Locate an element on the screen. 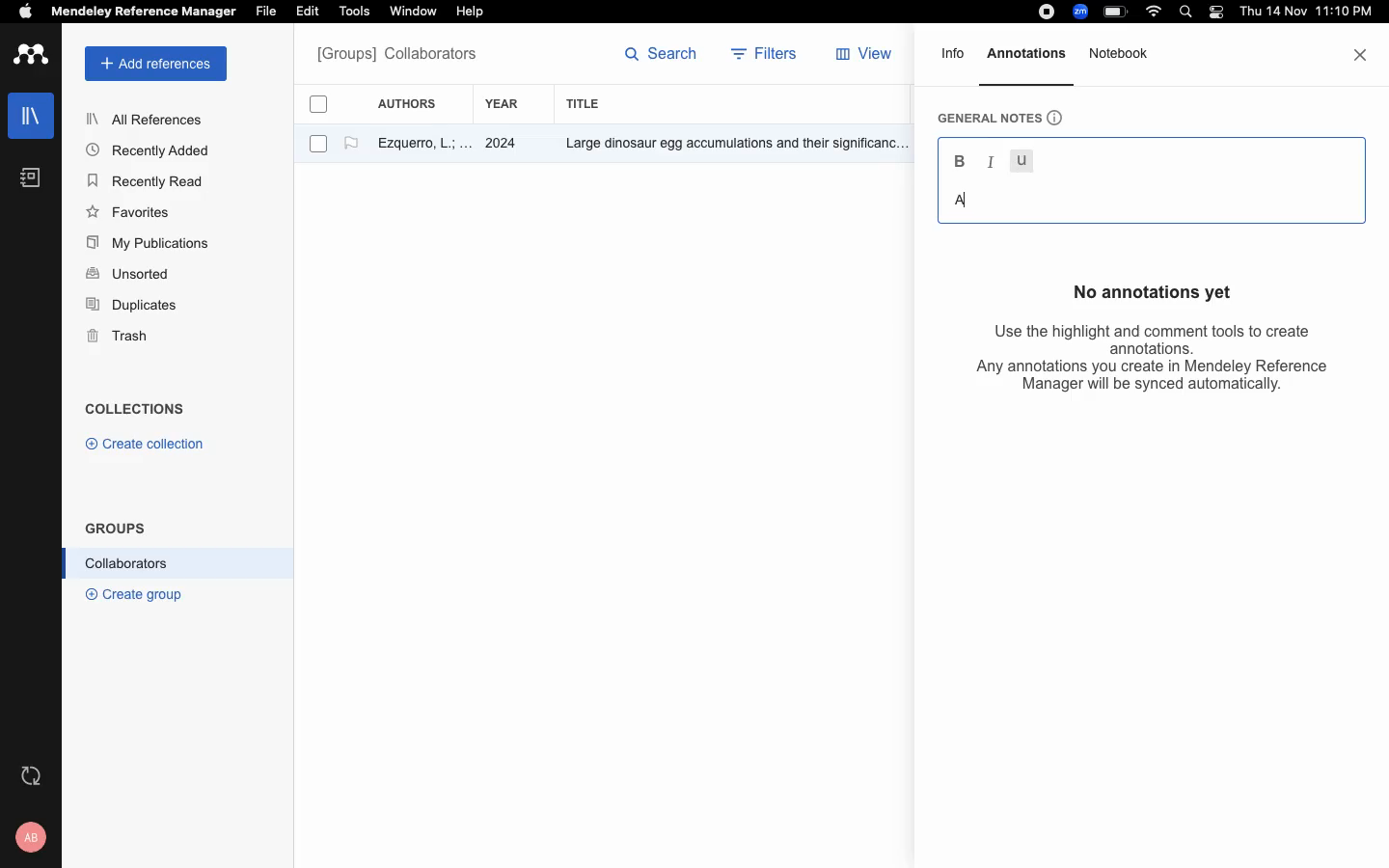  Favorites is located at coordinates (132, 211).